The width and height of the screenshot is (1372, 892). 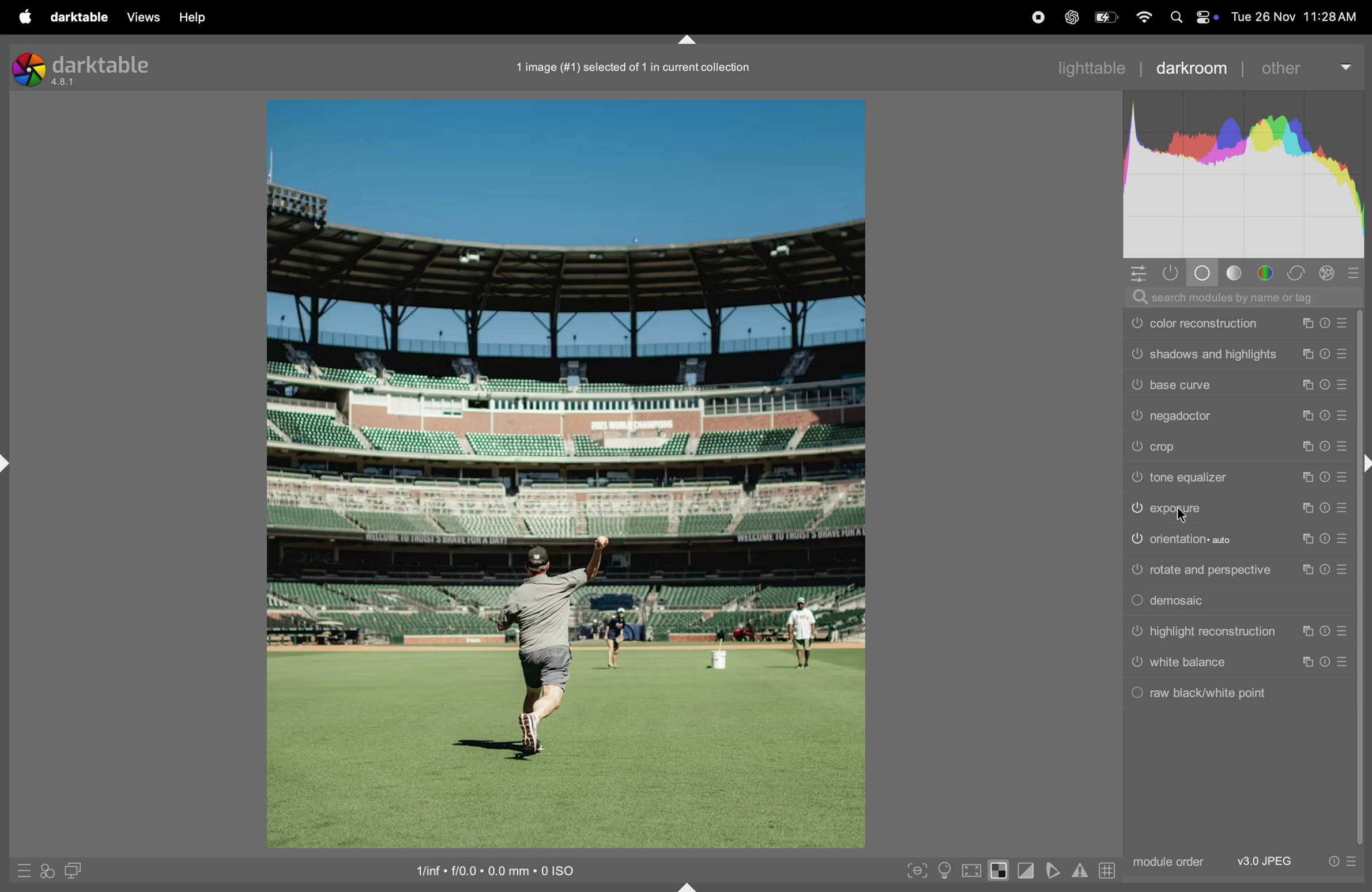 I want to click on chatgpt, so click(x=1069, y=18).